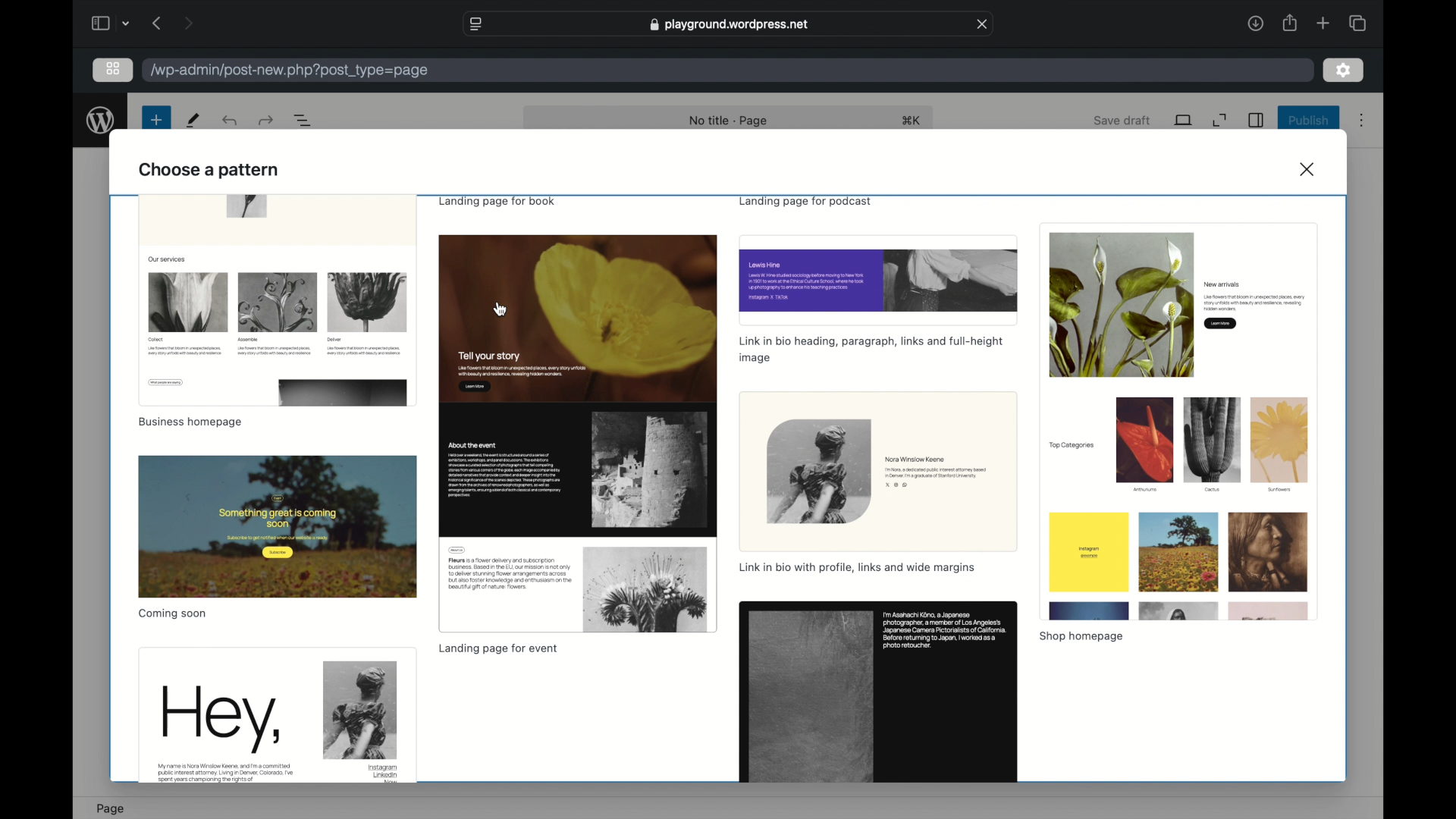  I want to click on show tab overview, so click(1357, 22).